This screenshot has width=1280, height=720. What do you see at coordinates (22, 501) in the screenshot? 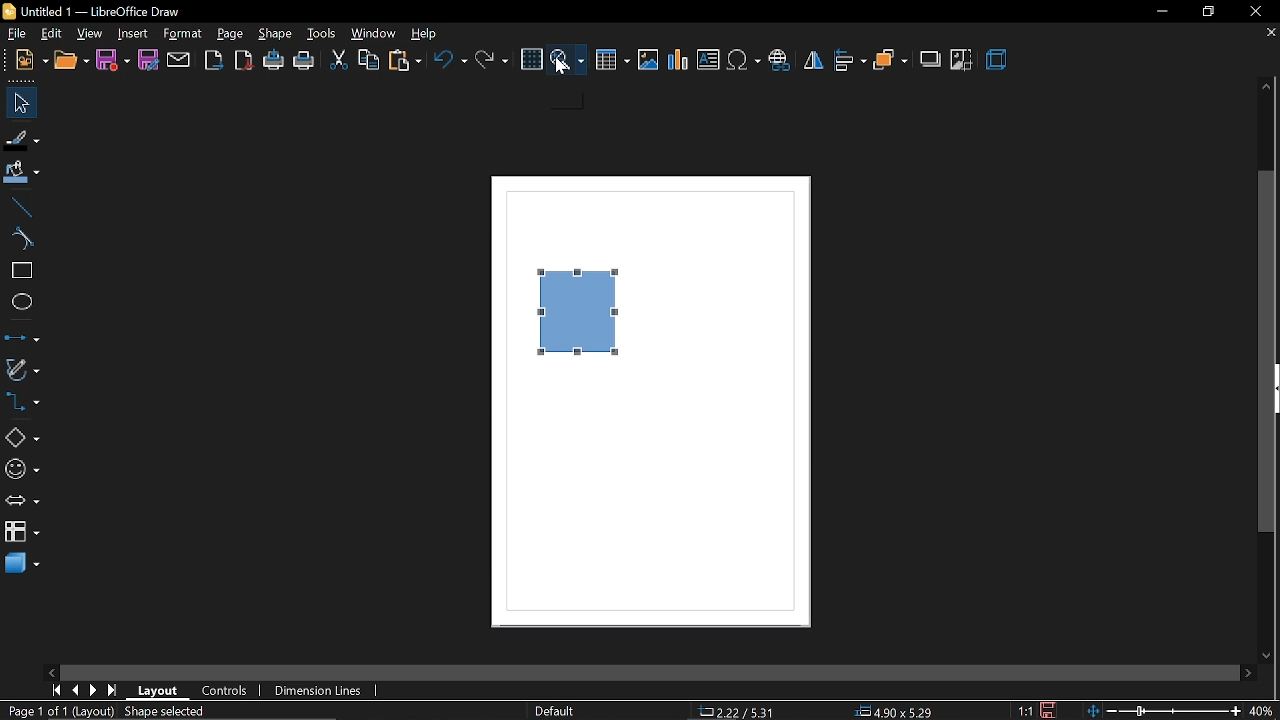
I see `arrows` at bounding box center [22, 501].